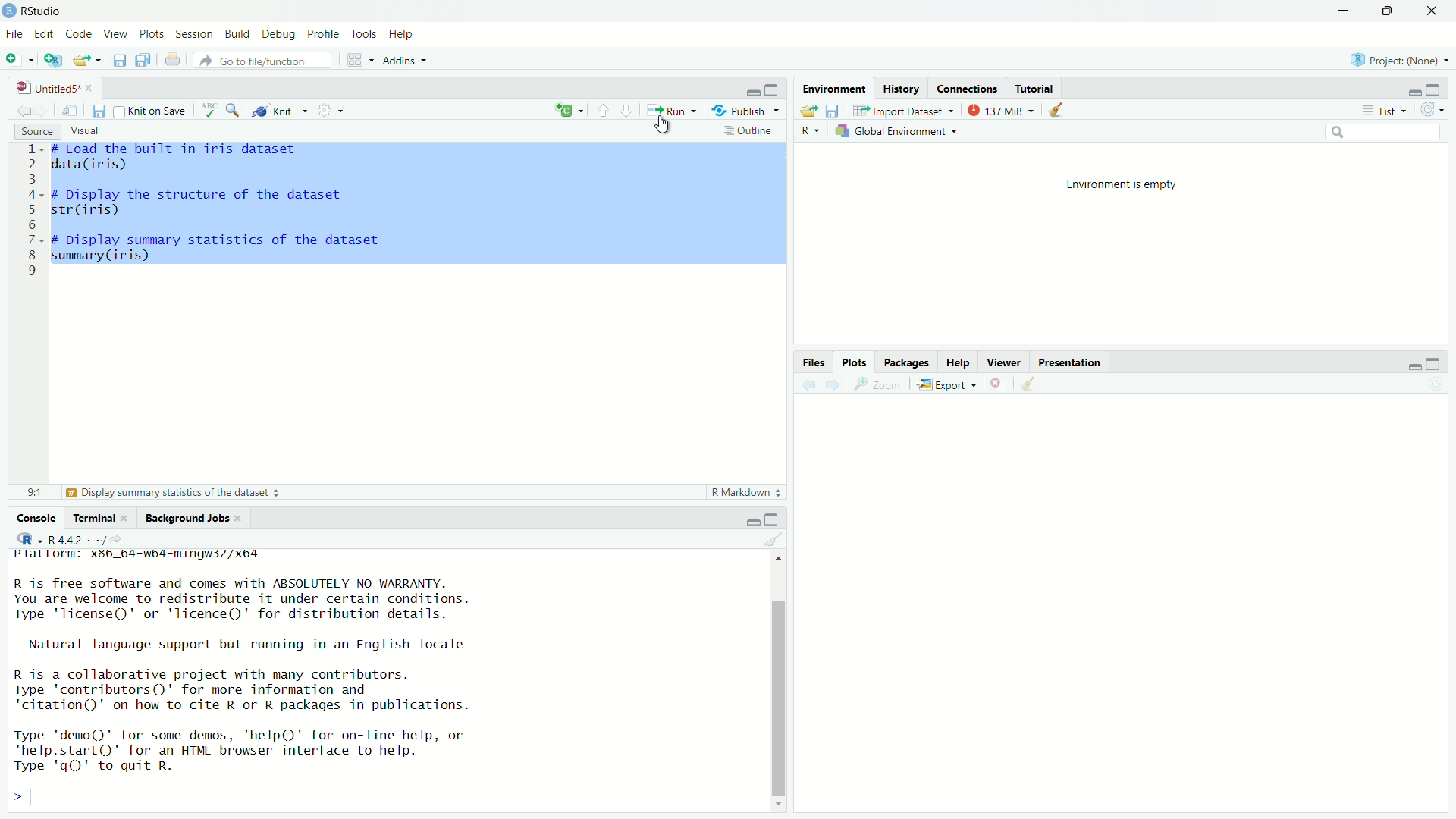 This screenshot has width=1456, height=819. I want to click on Spell Check, so click(209, 111).